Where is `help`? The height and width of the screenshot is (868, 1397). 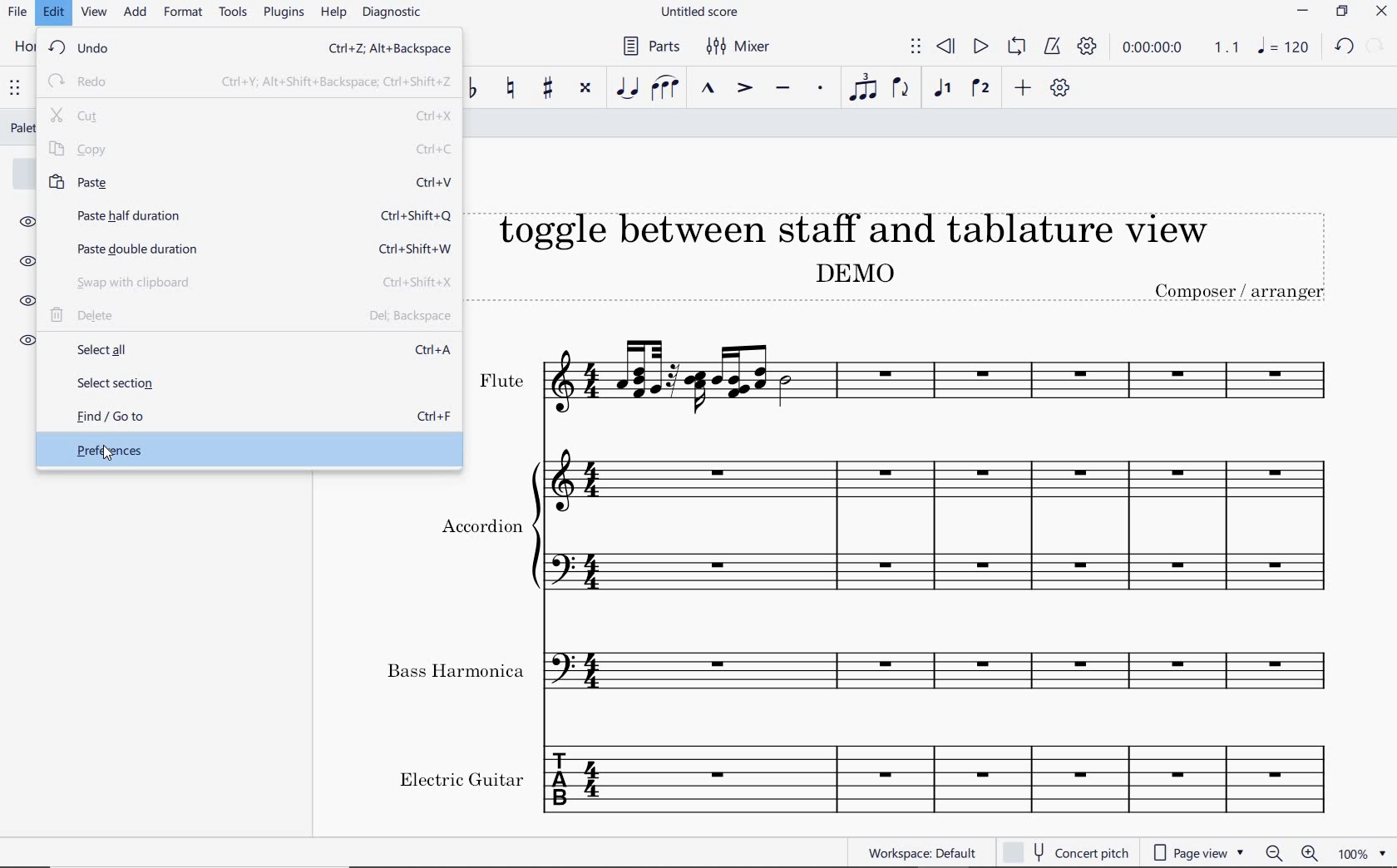 help is located at coordinates (333, 14).